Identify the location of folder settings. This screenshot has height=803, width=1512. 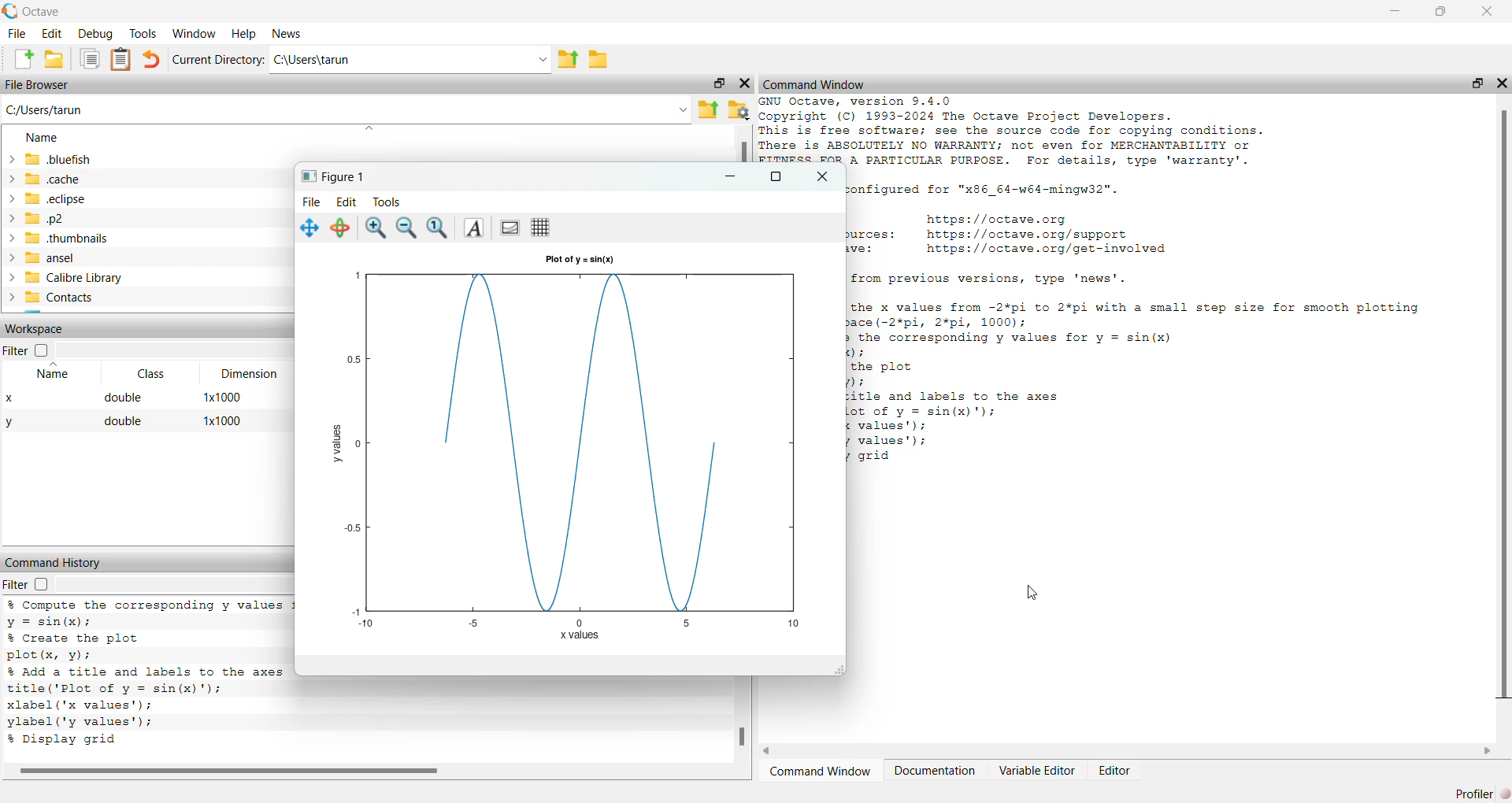
(738, 109).